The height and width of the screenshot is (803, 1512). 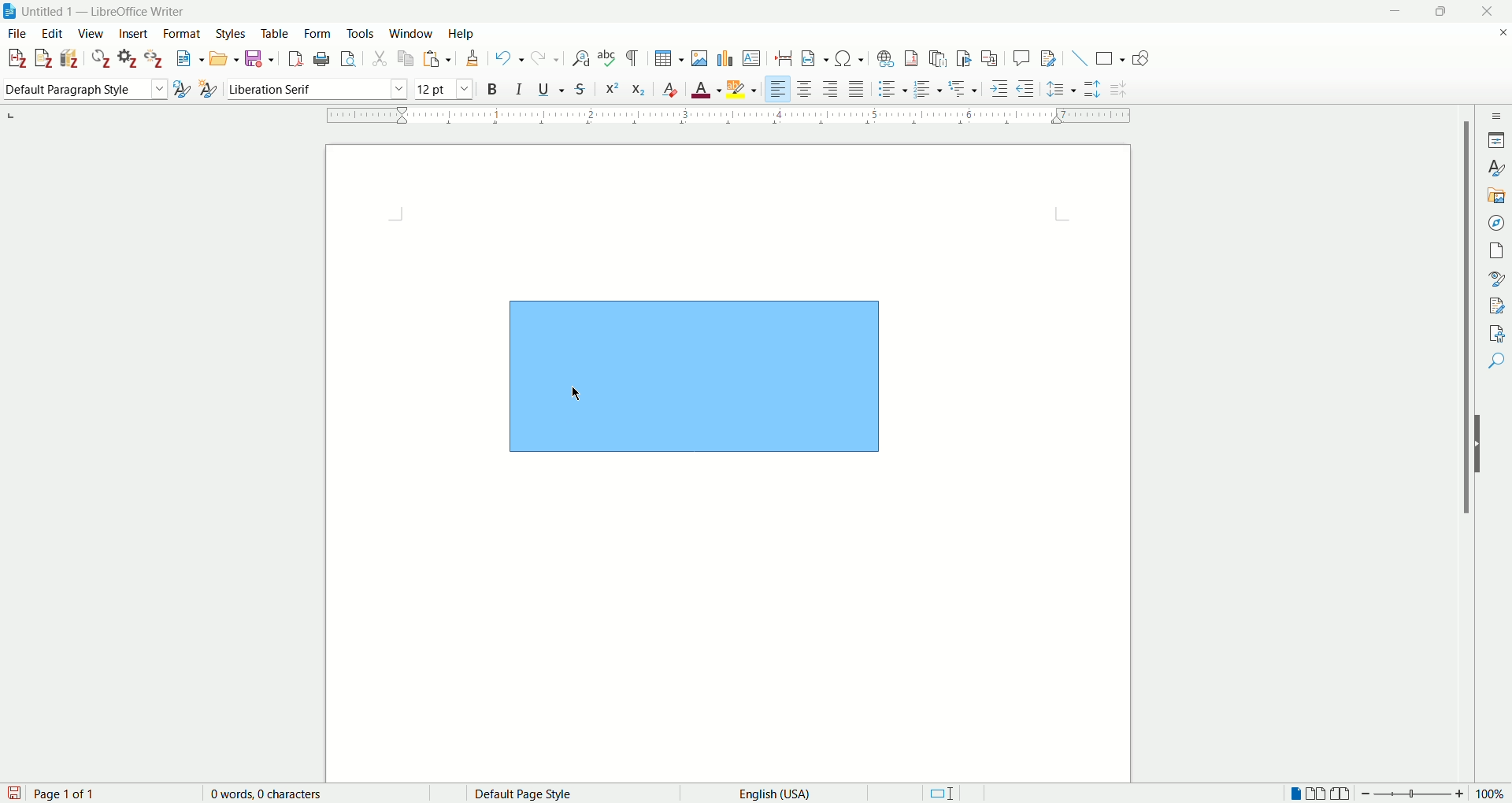 I want to click on properties, so click(x=1494, y=140).